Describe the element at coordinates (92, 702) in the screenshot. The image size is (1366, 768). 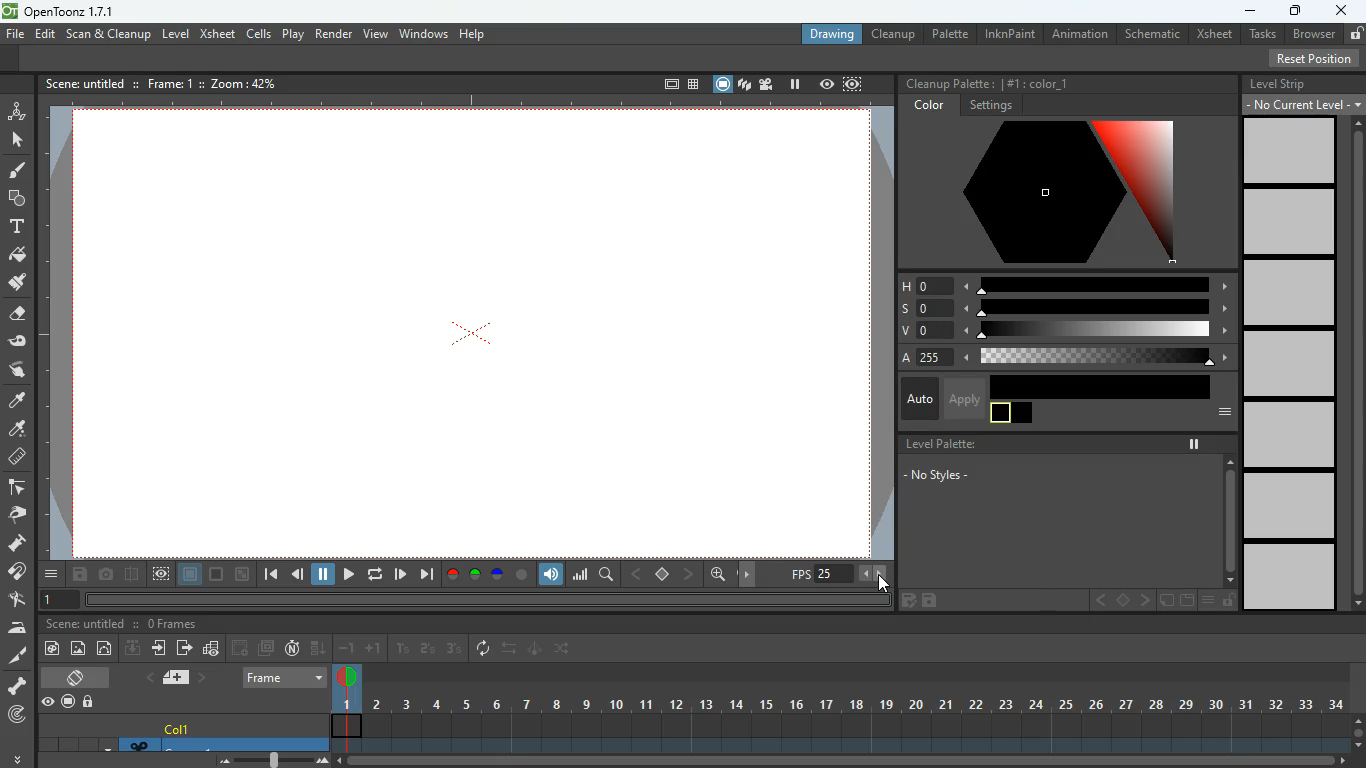
I see `lock` at that location.